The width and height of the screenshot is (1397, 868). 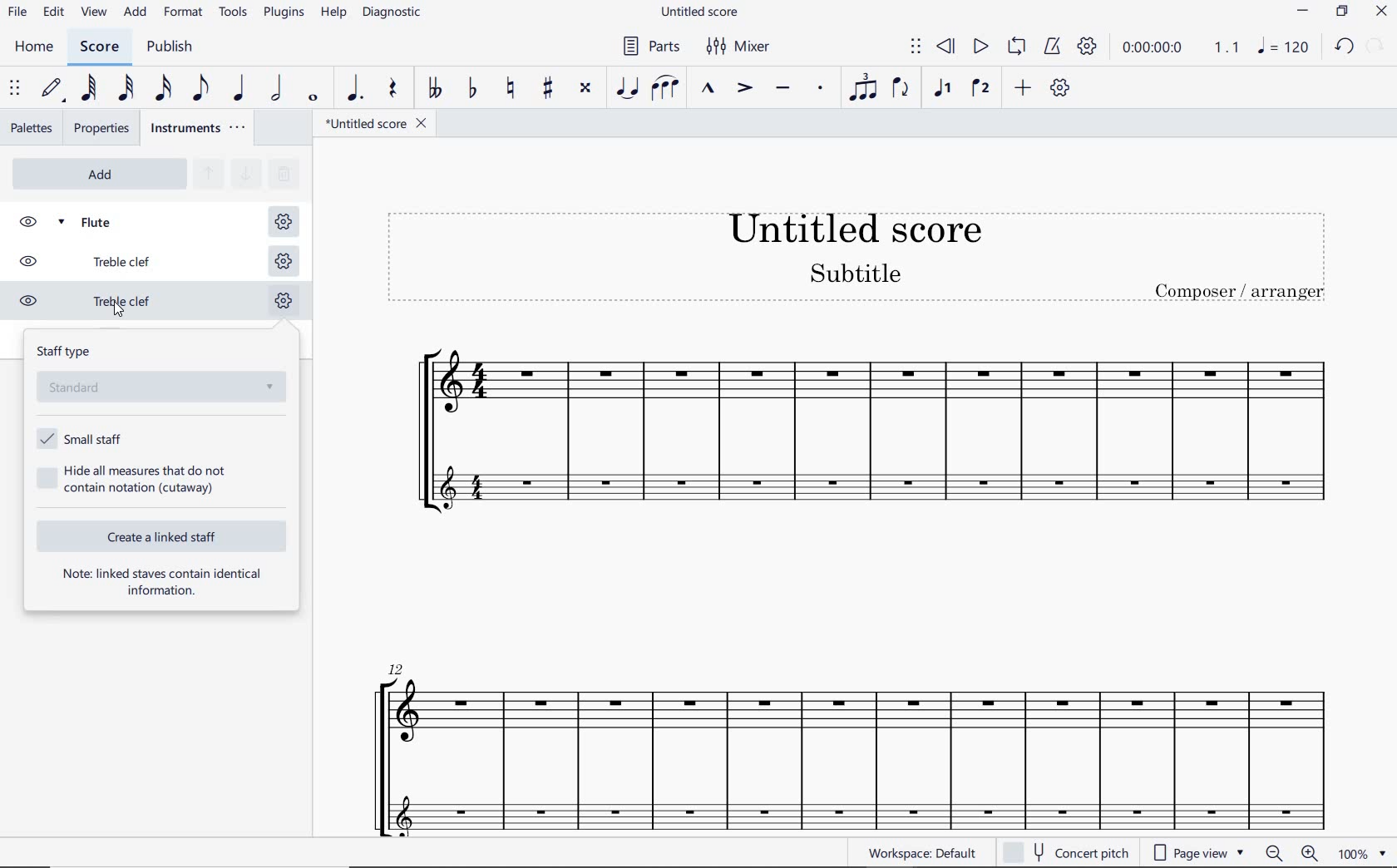 What do you see at coordinates (1178, 47) in the screenshot?
I see `PLAY TIME` at bounding box center [1178, 47].